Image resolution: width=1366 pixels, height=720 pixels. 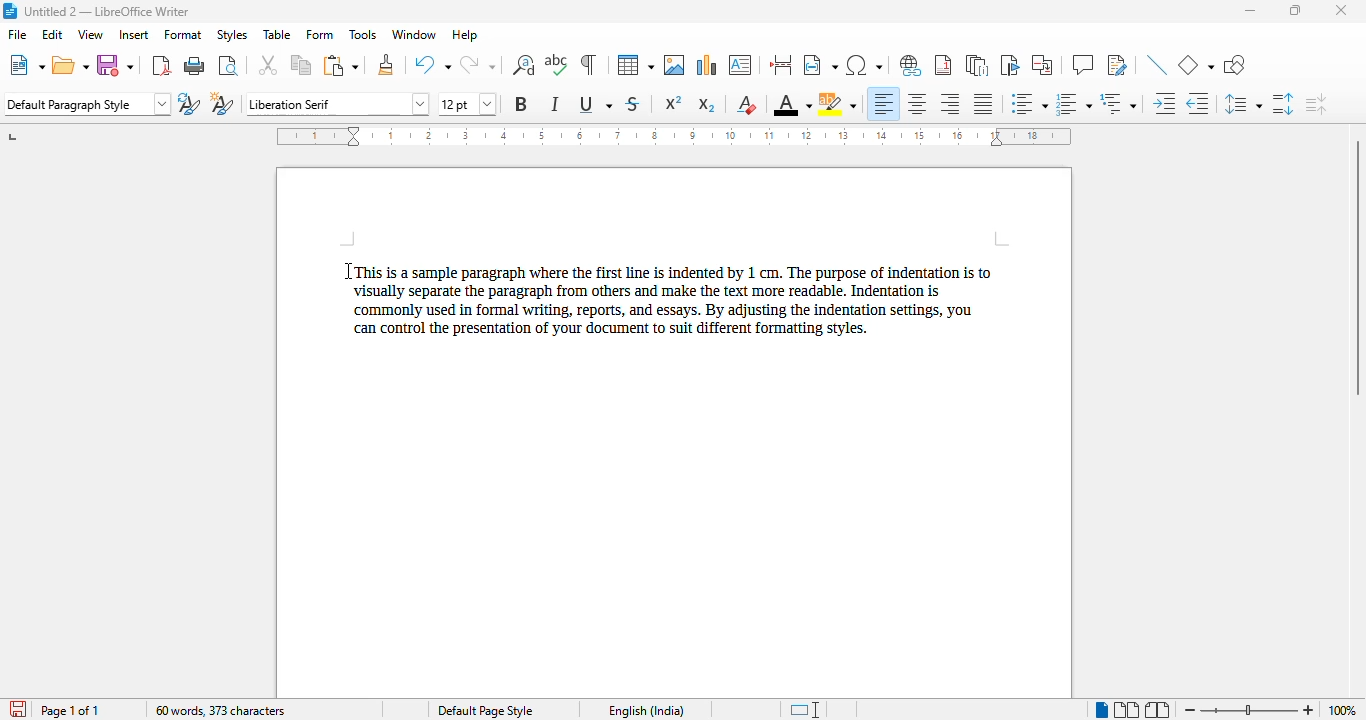 What do you see at coordinates (1102, 710) in the screenshot?
I see `single-page view` at bounding box center [1102, 710].